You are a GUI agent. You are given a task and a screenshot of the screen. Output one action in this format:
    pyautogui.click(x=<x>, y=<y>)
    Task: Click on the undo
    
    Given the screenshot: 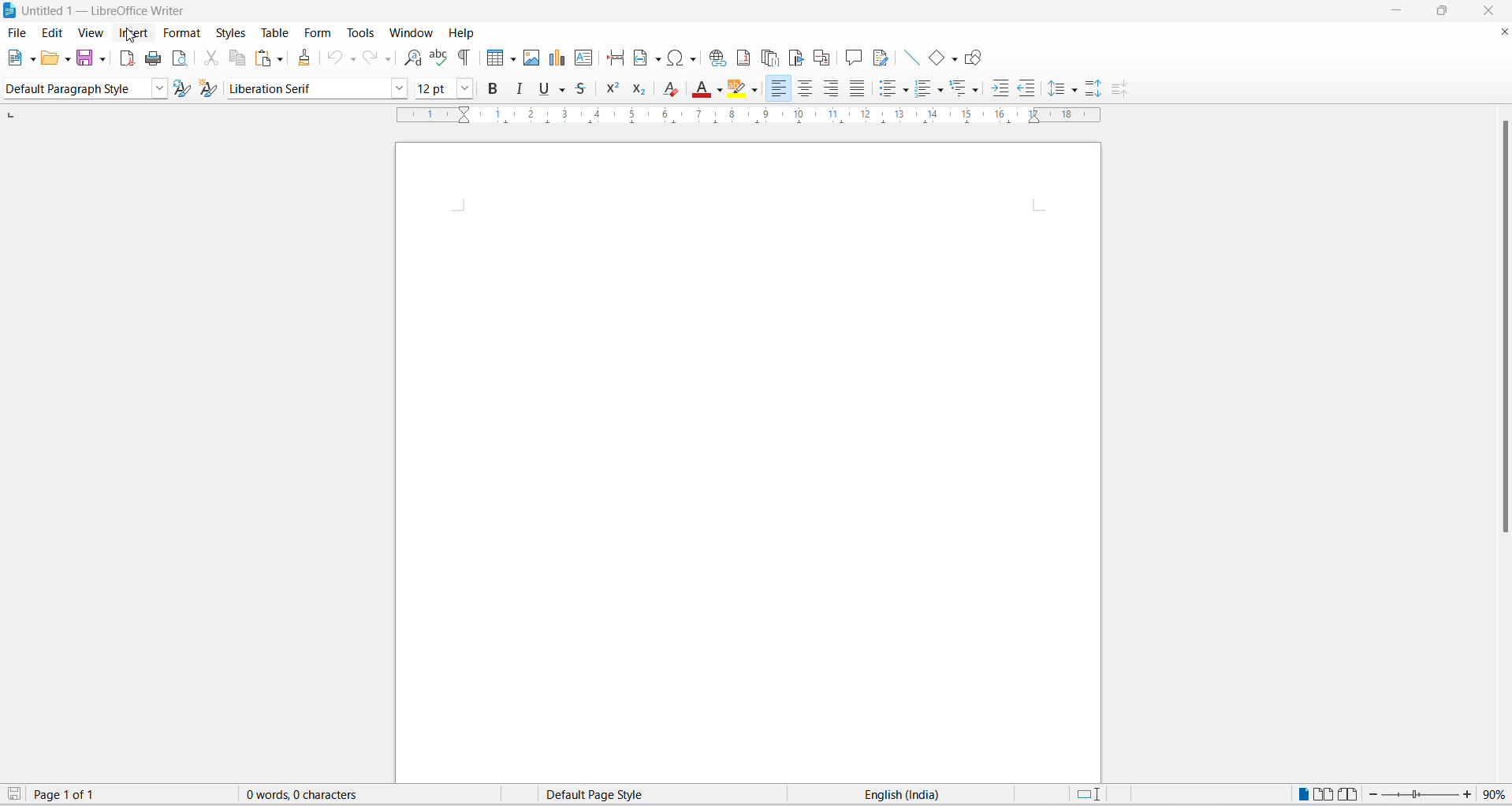 What is the action you would take?
    pyautogui.click(x=337, y=58)
    